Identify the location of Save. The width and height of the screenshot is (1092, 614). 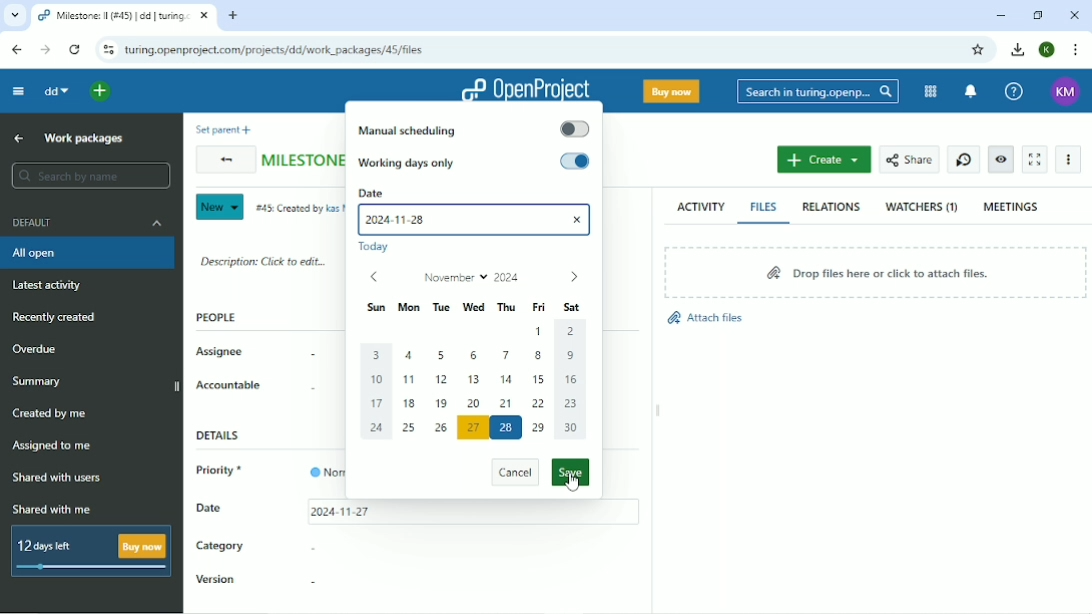
(571, 472).